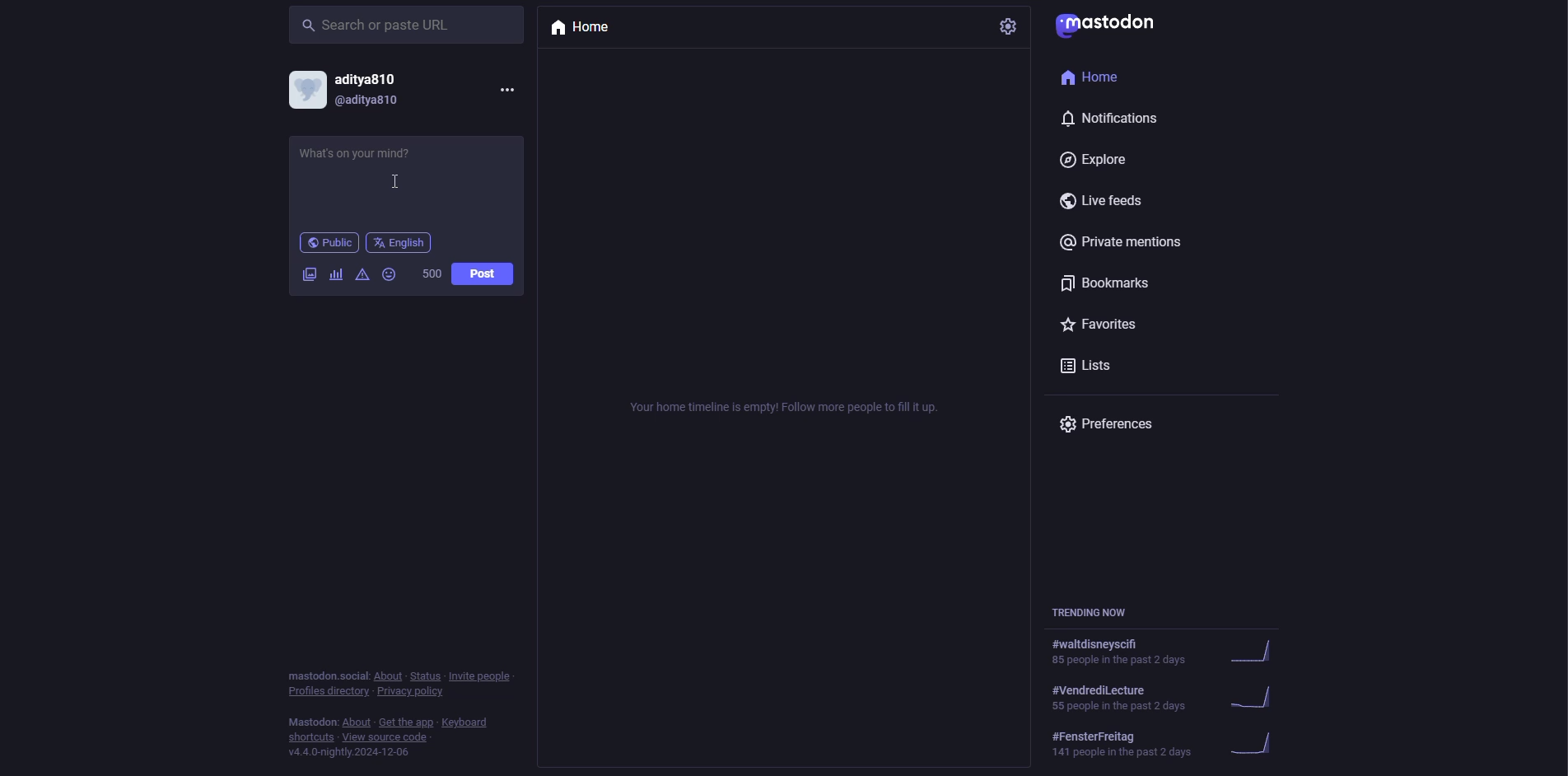 The height and width of the screenshot is (776, 1568). Describe the element at coordinates (380, 26) in the screenshot. I see `search` at that location.